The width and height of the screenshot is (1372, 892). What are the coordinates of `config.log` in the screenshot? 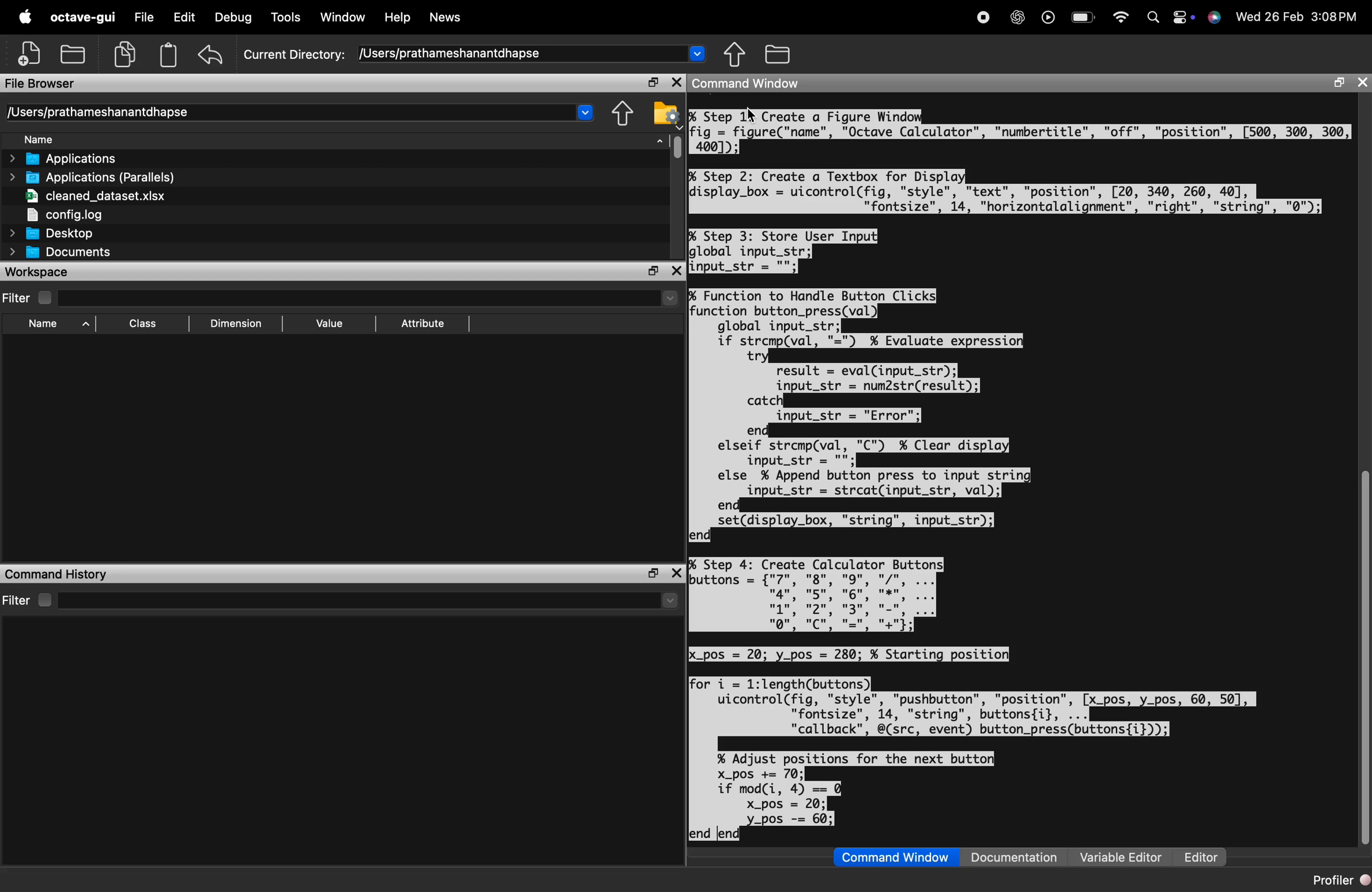 It's located at (62, 216).